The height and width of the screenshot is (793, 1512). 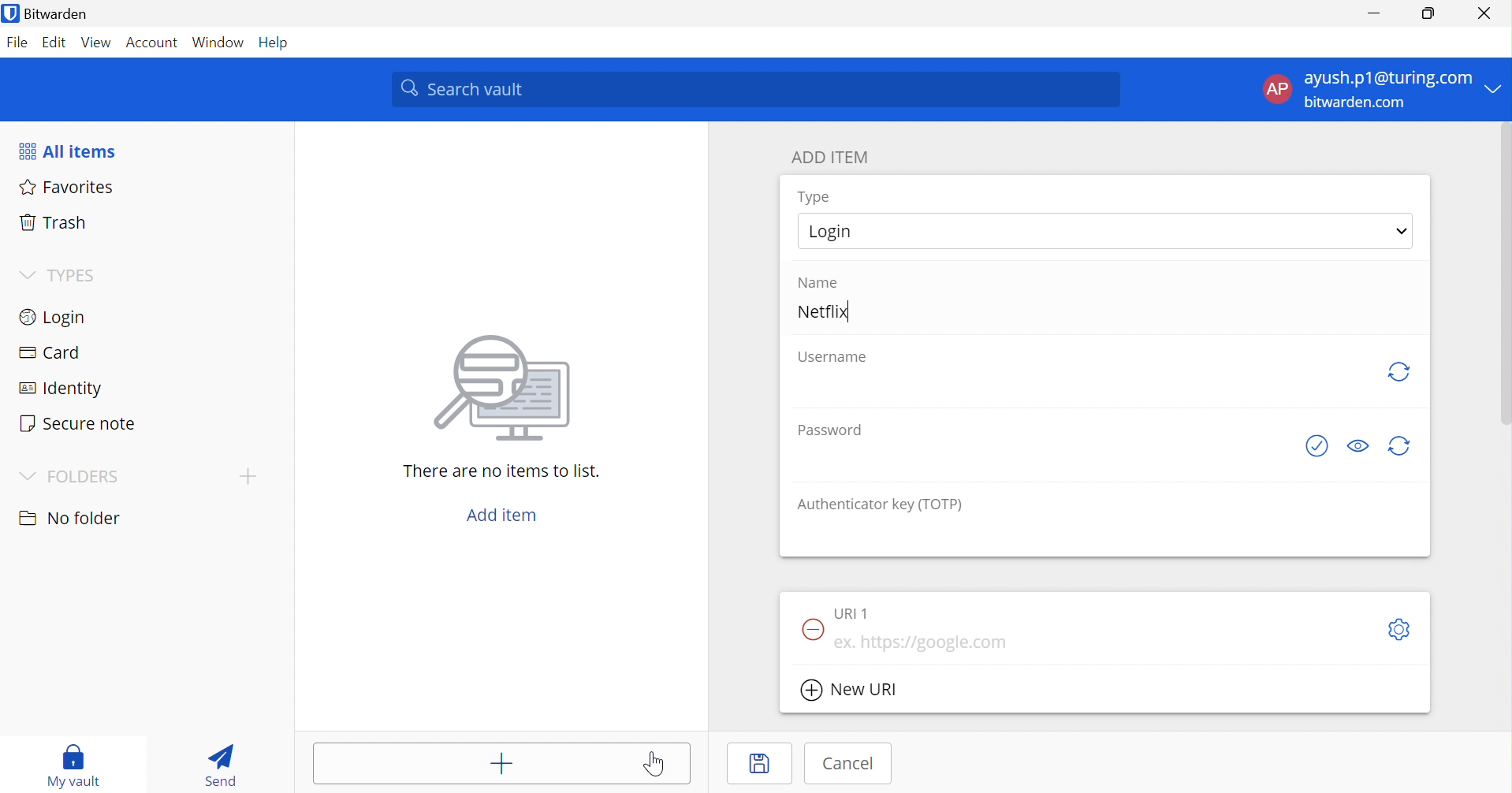 What do you see at coordinates (1354, 102) in the screenshot?
I see `bitwarden.com` at bounding box center [1354, 102].